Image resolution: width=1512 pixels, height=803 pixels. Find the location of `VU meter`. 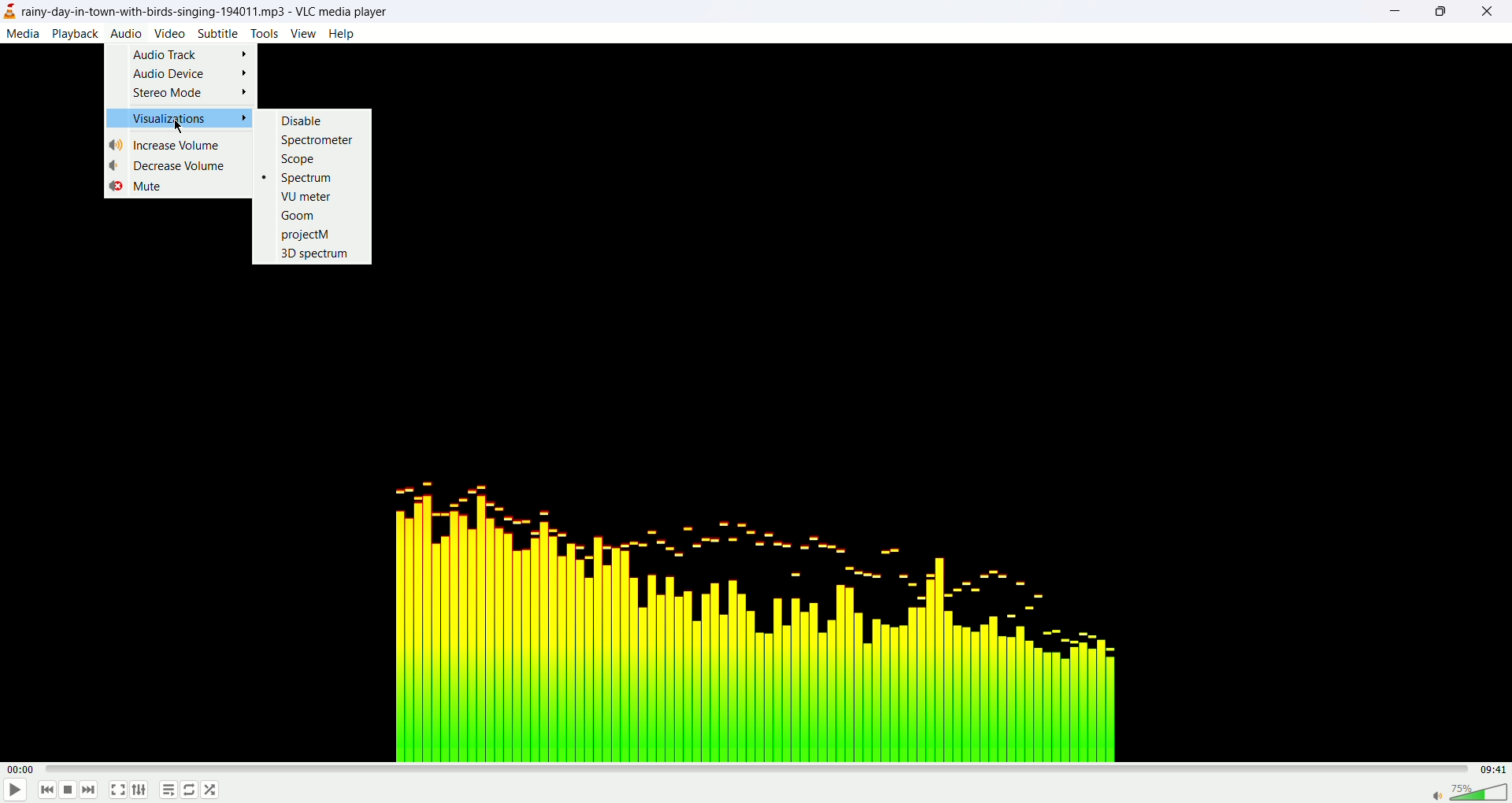

VU meter is located at coordinates (306, 196).